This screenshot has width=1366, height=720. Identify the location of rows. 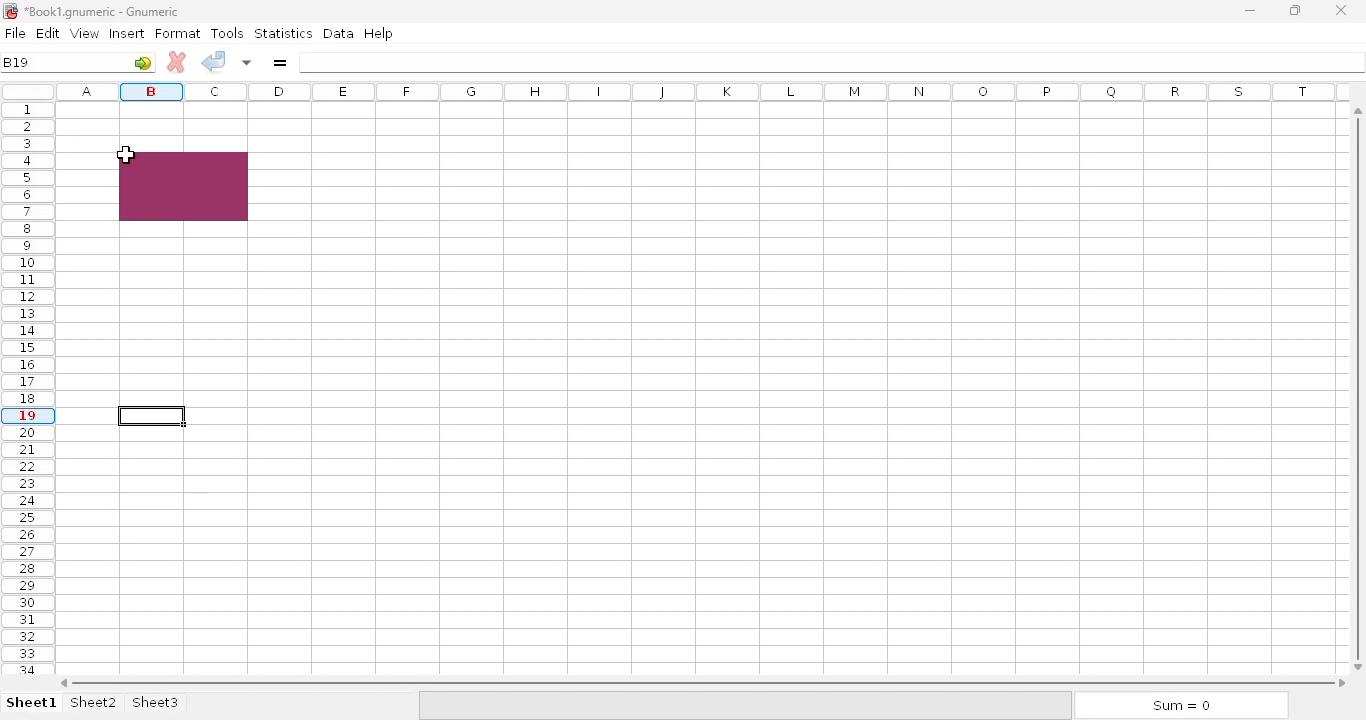
(28, 387).